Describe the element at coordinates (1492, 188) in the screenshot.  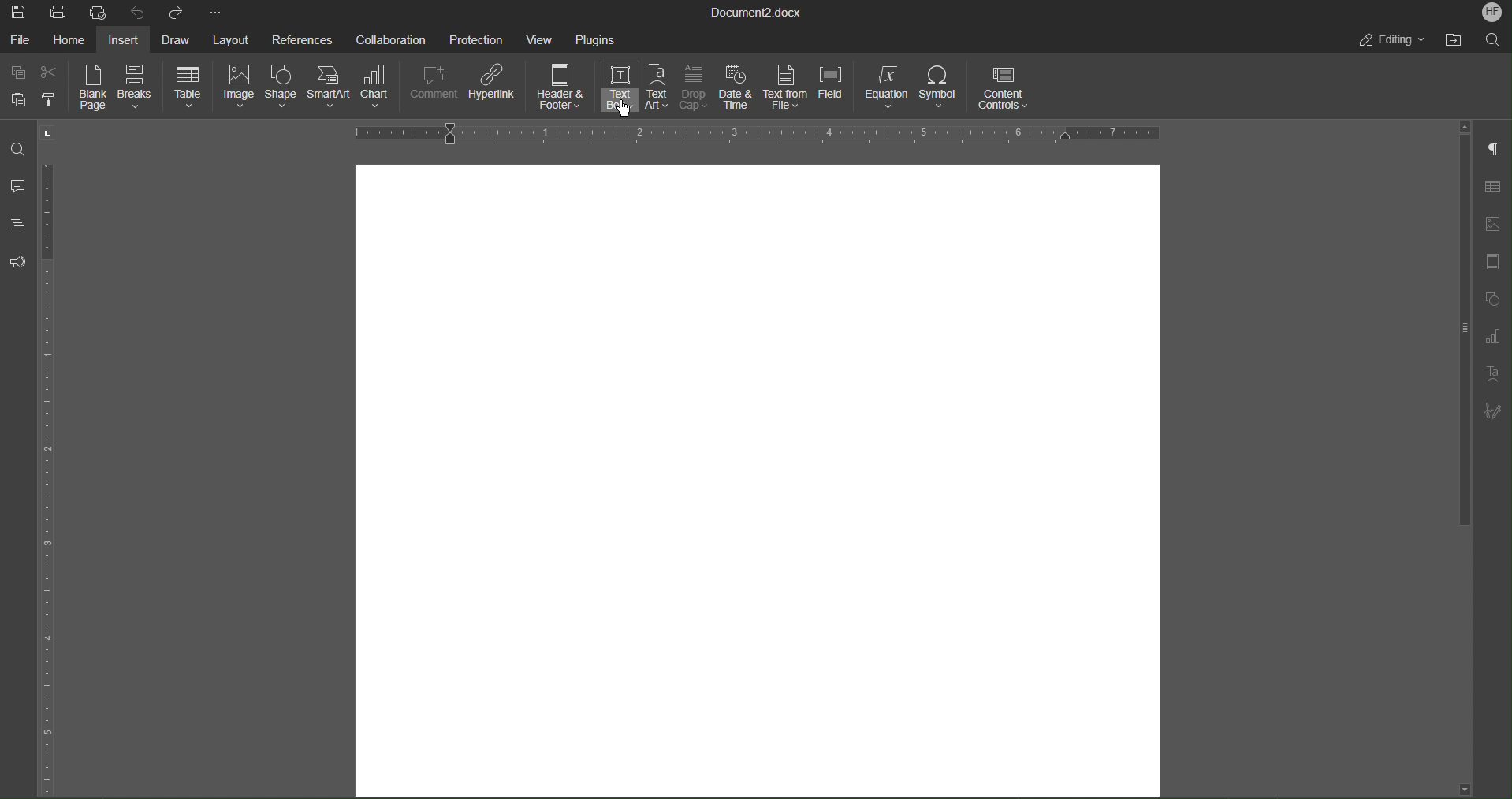
I see `Table` at that location.